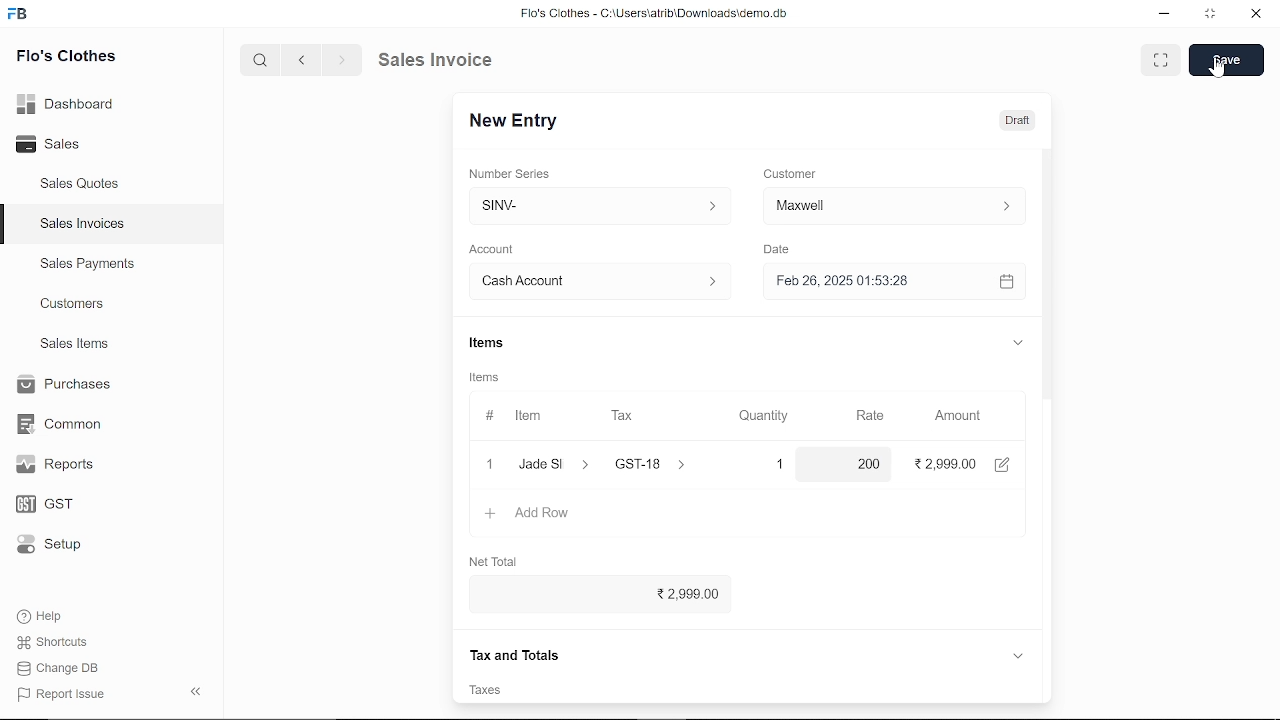  I want to click on 2,999.00, so click(594, 595).